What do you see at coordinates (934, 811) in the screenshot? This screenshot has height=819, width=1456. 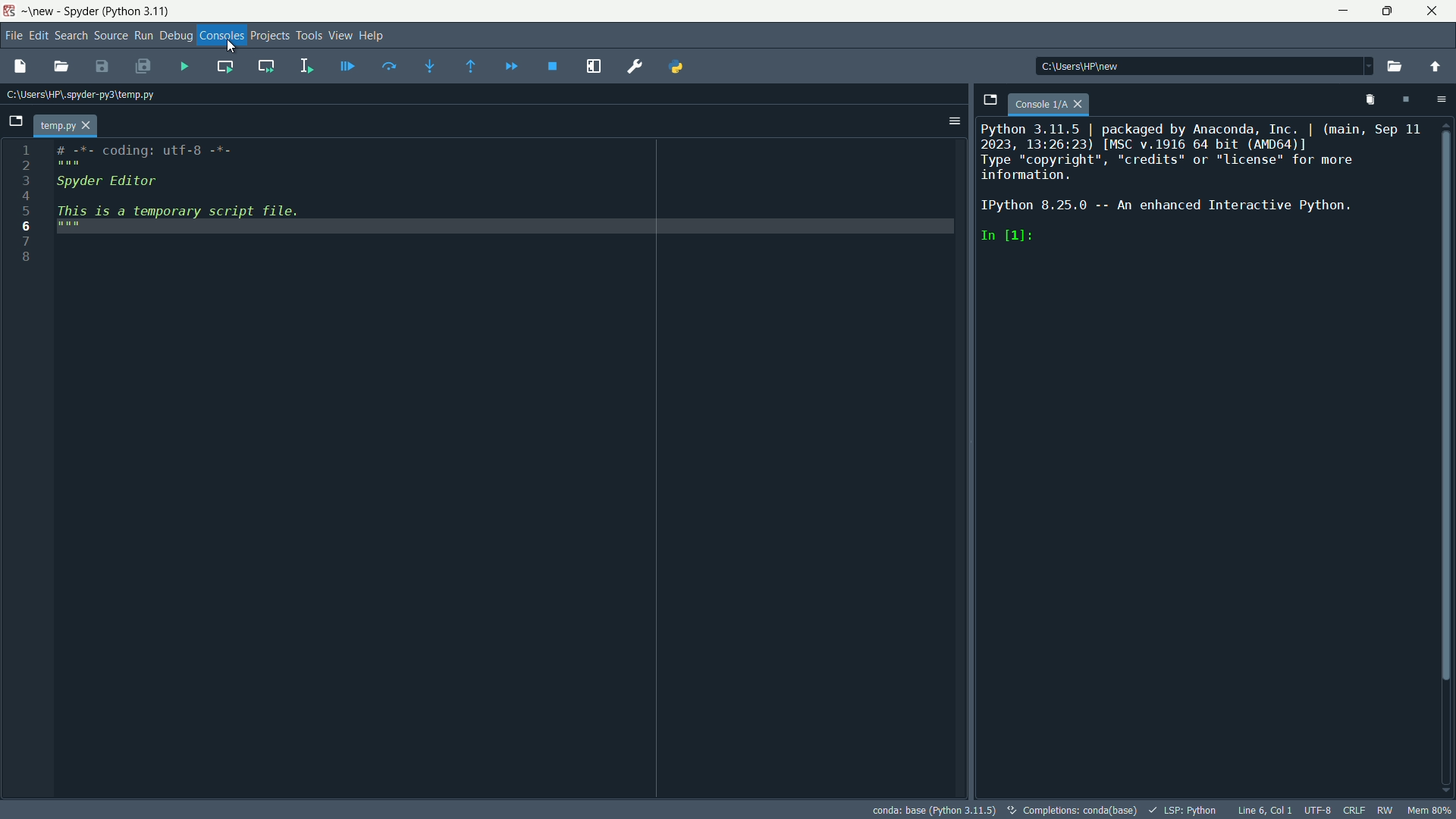 I see `conda: base (Python 3.11.5)` at bounding box center [934, 811].